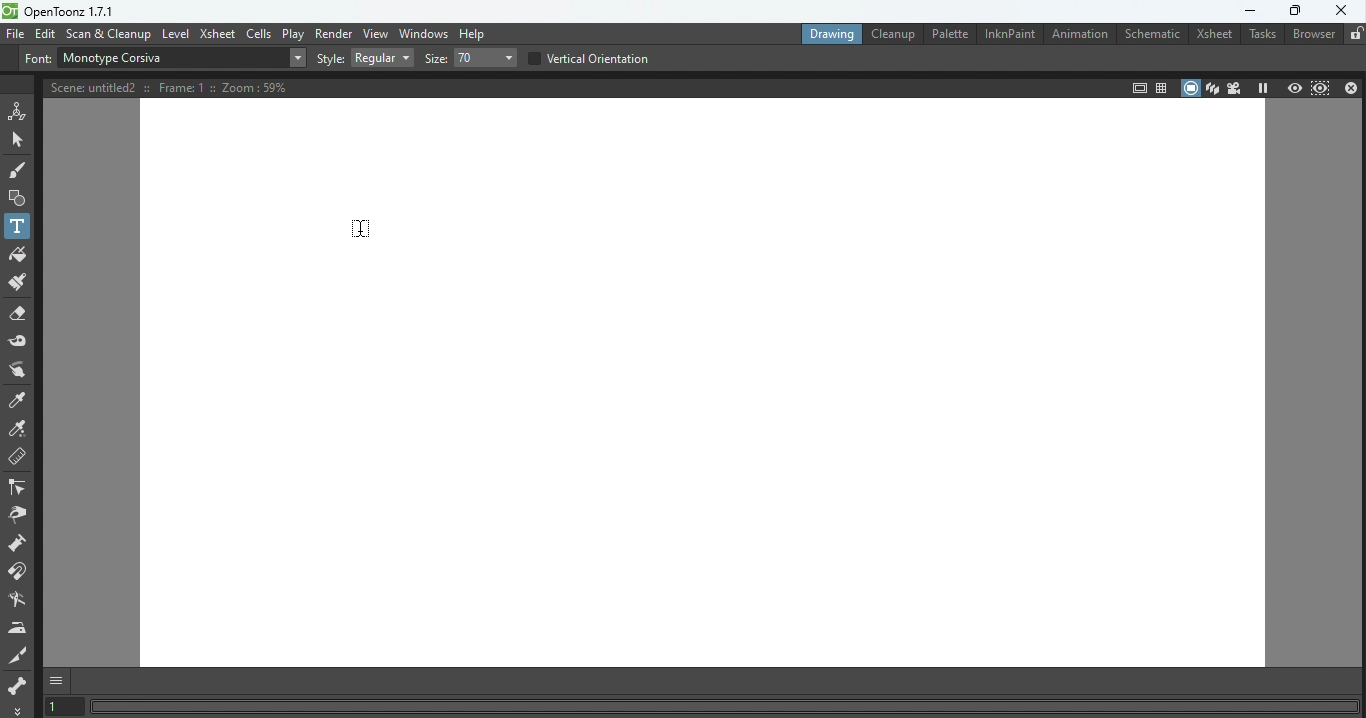 Image resolution: width=1366 pixels, height=718 pixels. Describe the element at coordinates (167, 87) in the screenshot. I see `Scene details` at that location.